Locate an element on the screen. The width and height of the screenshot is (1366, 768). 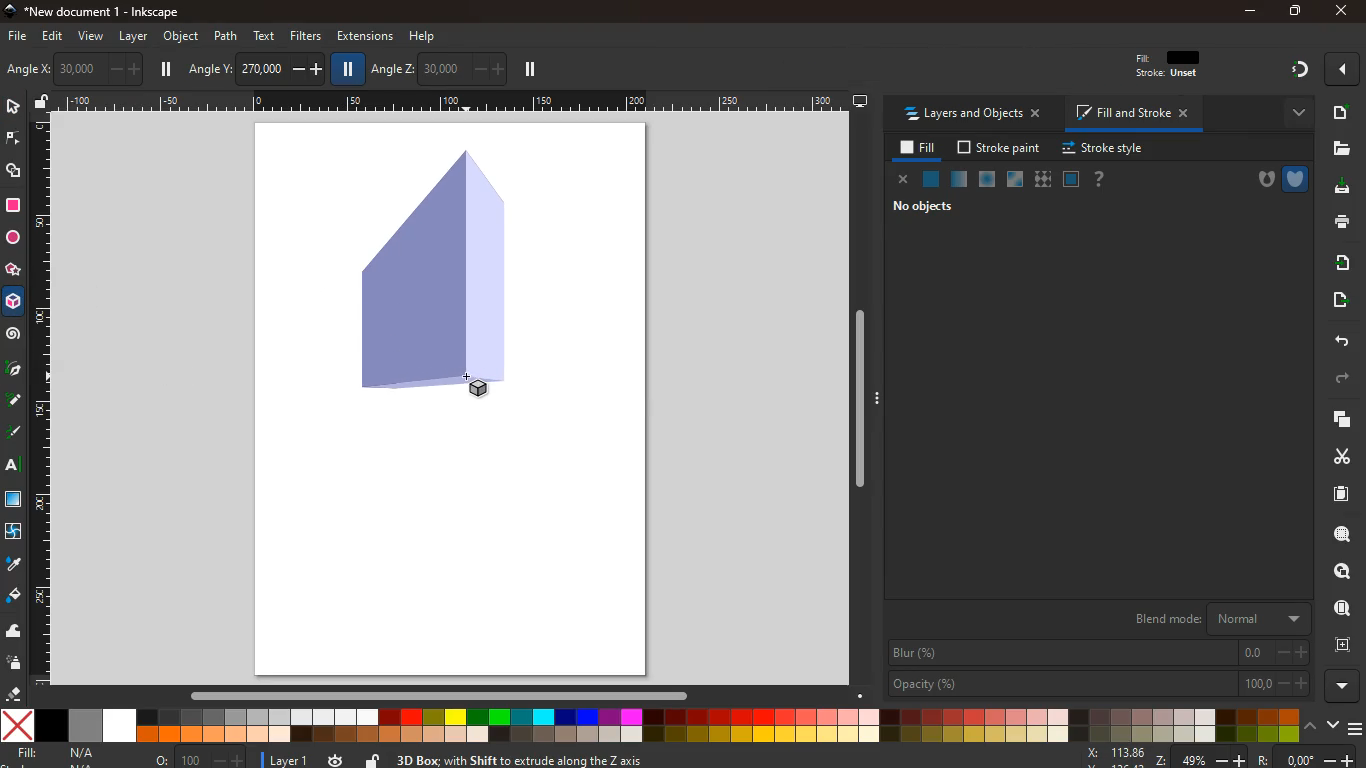
select is located at coordinates (12, 108).